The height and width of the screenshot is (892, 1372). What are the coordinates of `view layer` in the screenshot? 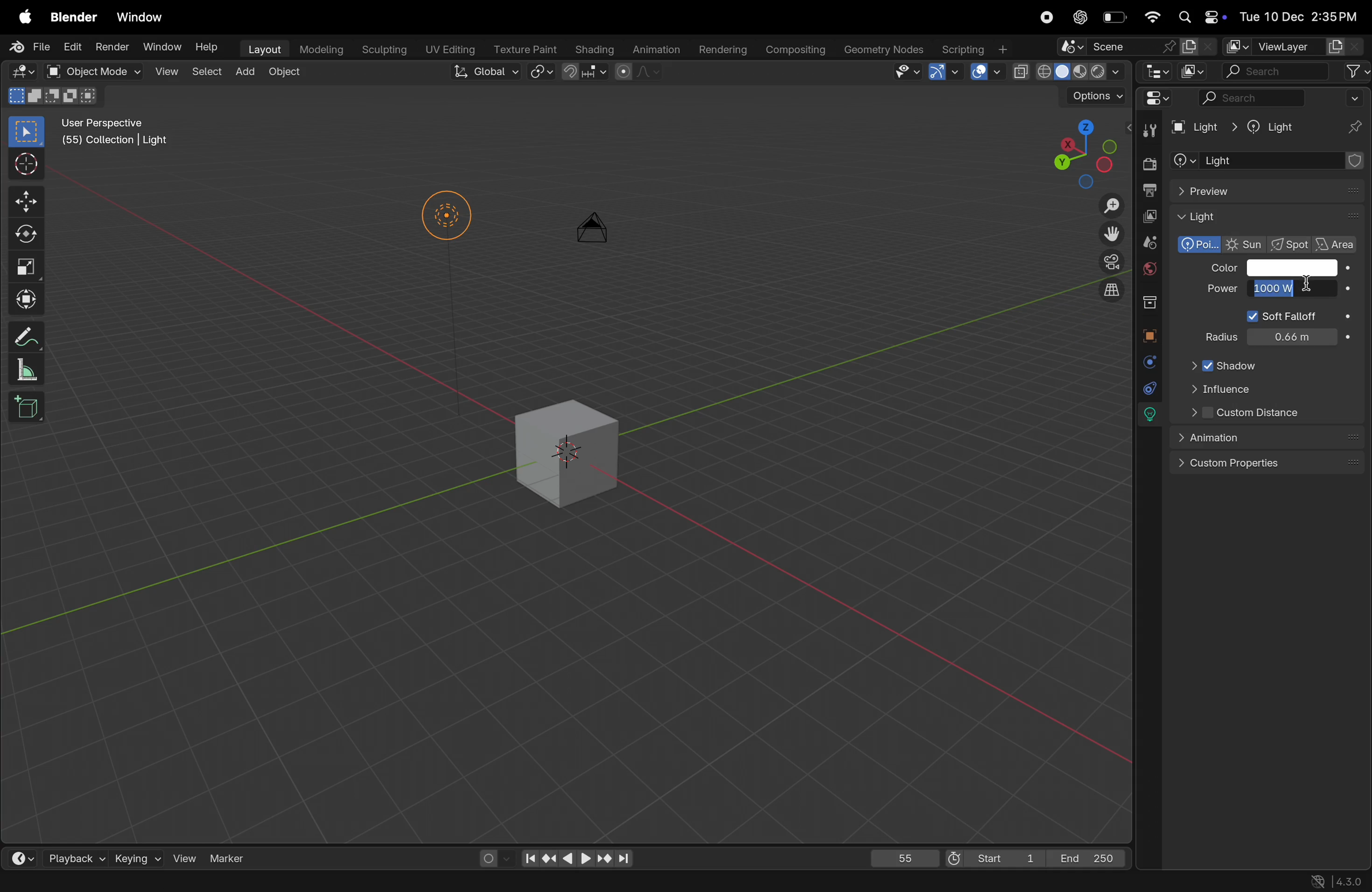 It's located at (1294, 47).